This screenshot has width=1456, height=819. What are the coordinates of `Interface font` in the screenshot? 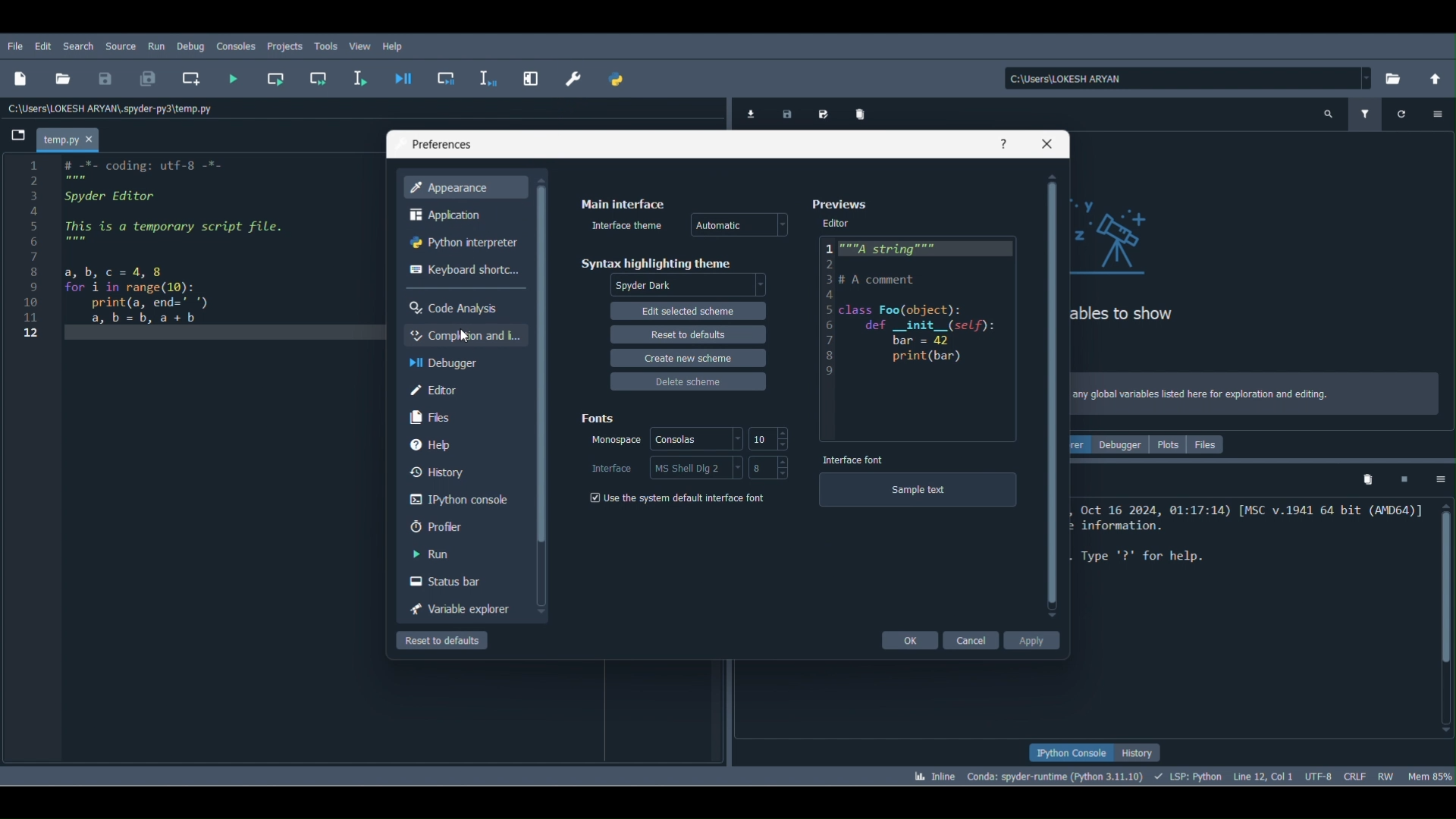 It's located at (854, 460).